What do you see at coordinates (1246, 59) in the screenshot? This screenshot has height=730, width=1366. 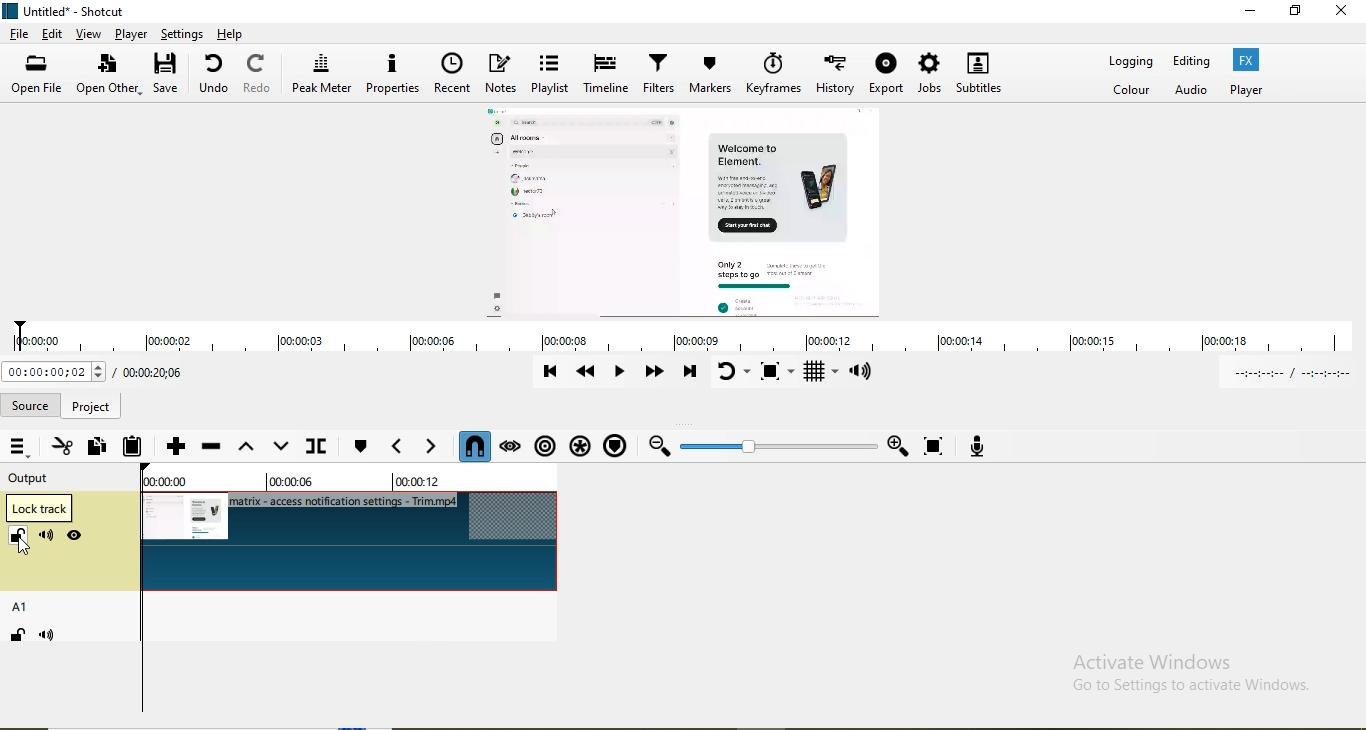 I see `Fx` at bounding box center [1246, 59].